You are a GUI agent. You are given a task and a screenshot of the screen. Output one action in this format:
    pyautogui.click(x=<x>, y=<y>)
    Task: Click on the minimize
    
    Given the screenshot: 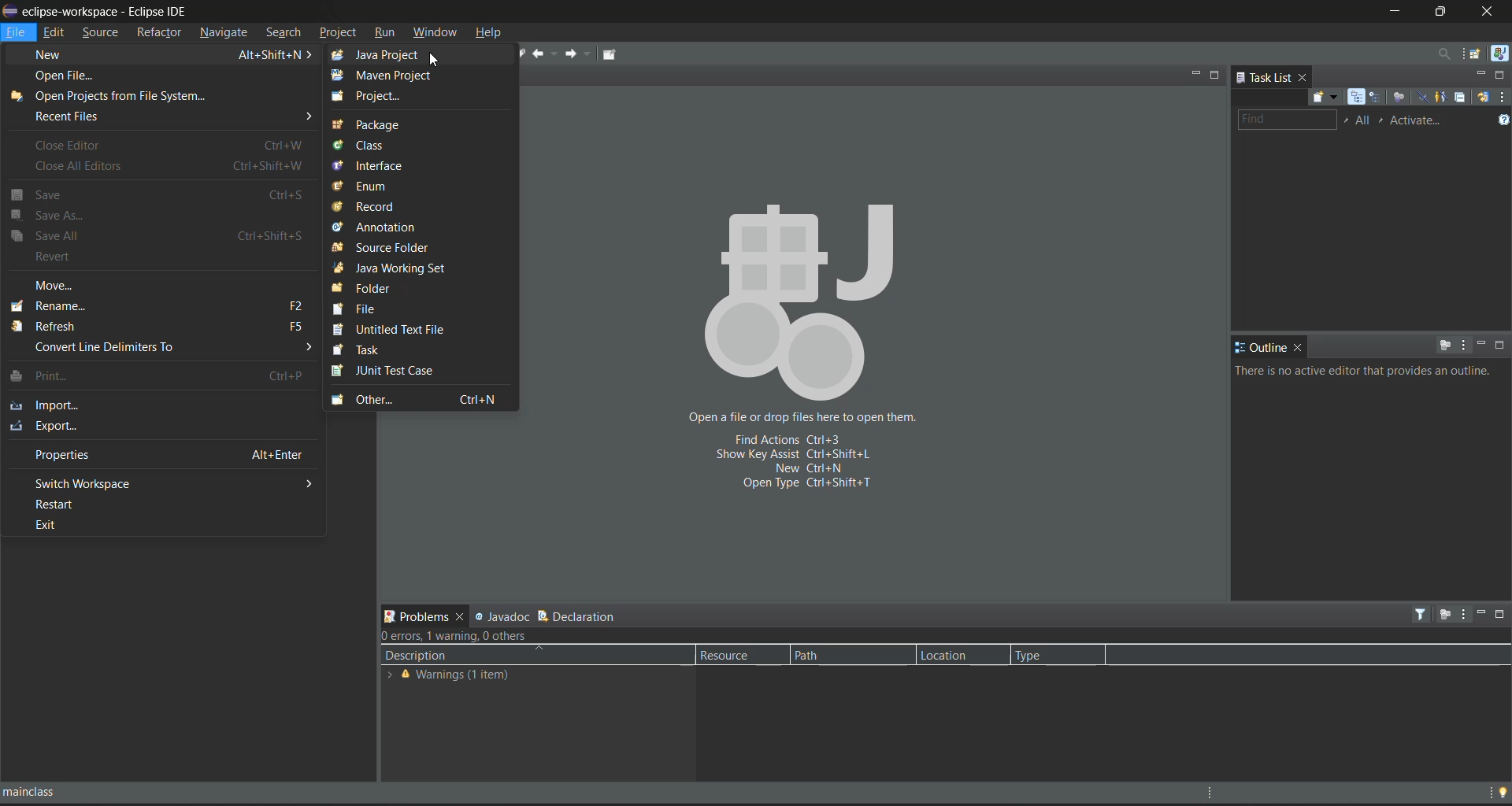 What is the action you would take?
    pyautogui.click(x=1195, y=73)
    